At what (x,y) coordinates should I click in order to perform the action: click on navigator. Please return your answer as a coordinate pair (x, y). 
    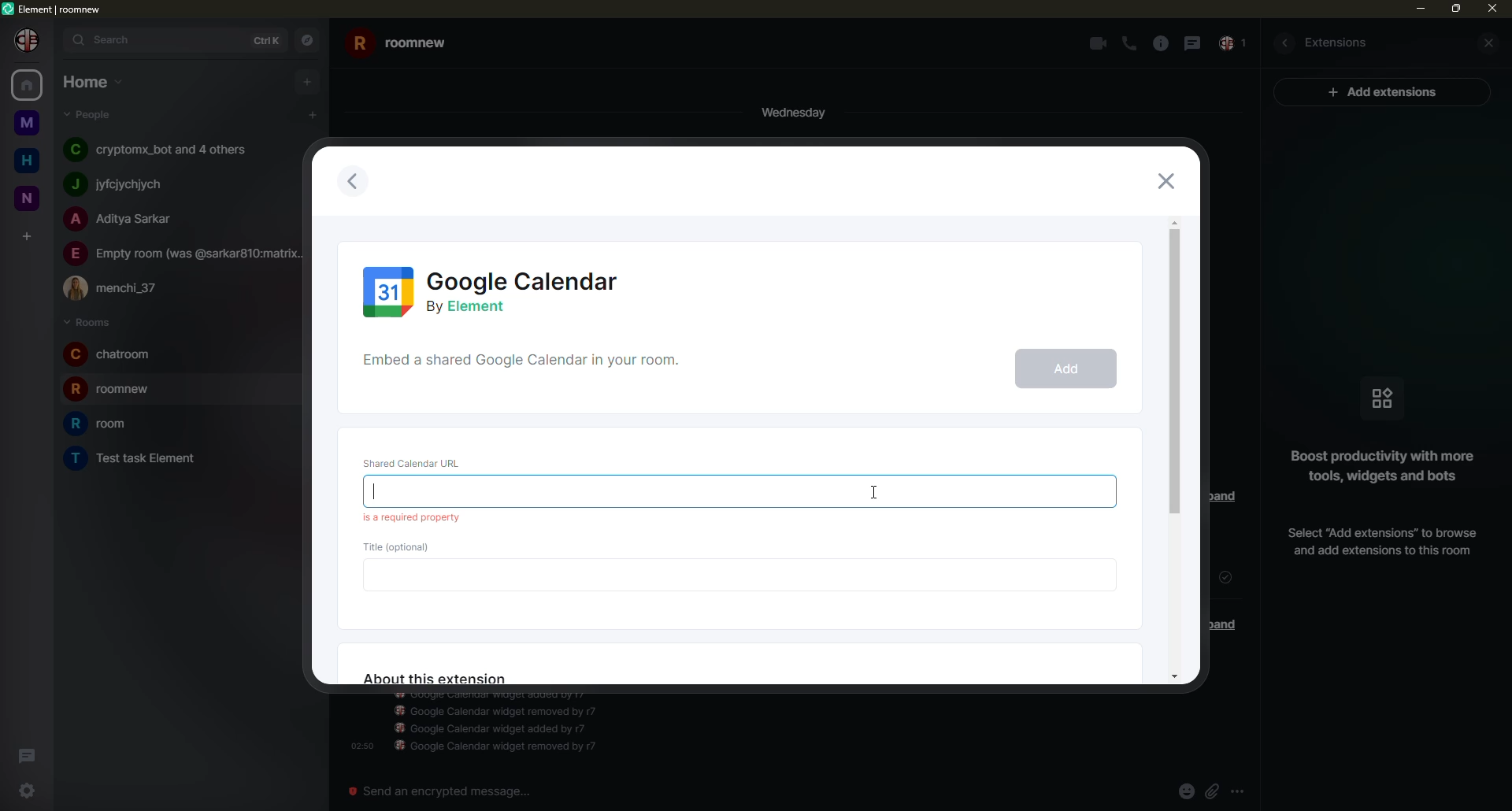
    Looking at the image, I should click on (308, 39).